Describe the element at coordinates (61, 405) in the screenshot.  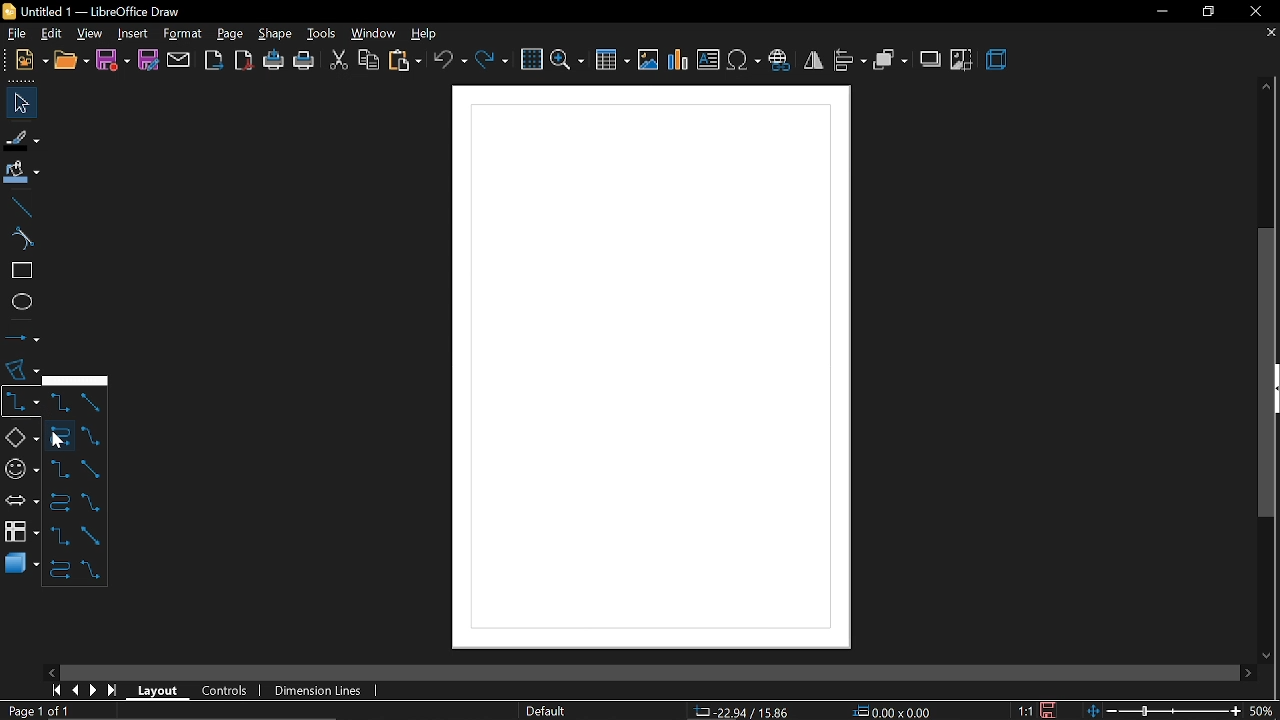
I see `line connectors` at that location.